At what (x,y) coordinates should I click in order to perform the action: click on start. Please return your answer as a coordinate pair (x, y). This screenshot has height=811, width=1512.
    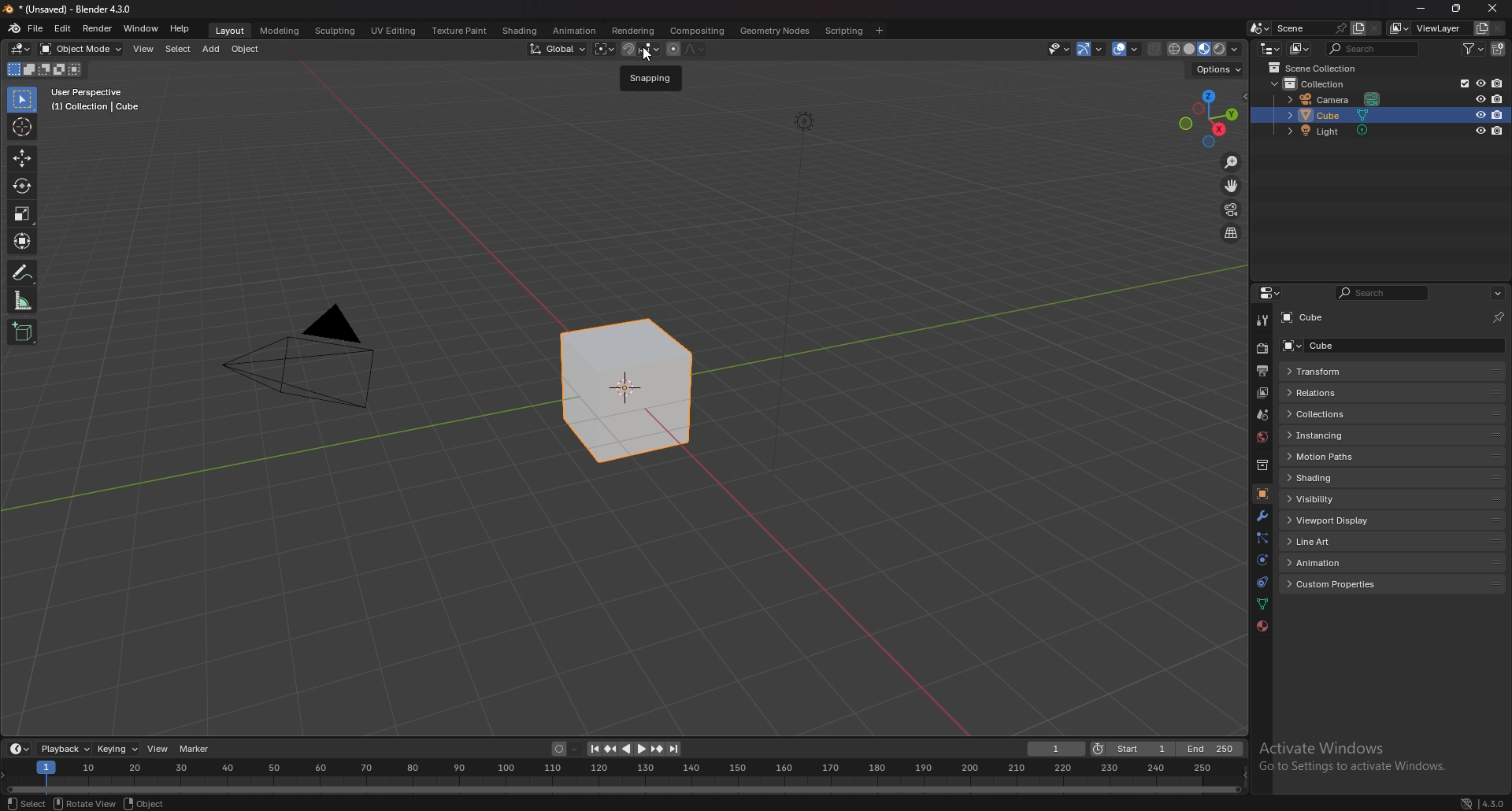
    Looking at the image, I should click on (1132, 749).